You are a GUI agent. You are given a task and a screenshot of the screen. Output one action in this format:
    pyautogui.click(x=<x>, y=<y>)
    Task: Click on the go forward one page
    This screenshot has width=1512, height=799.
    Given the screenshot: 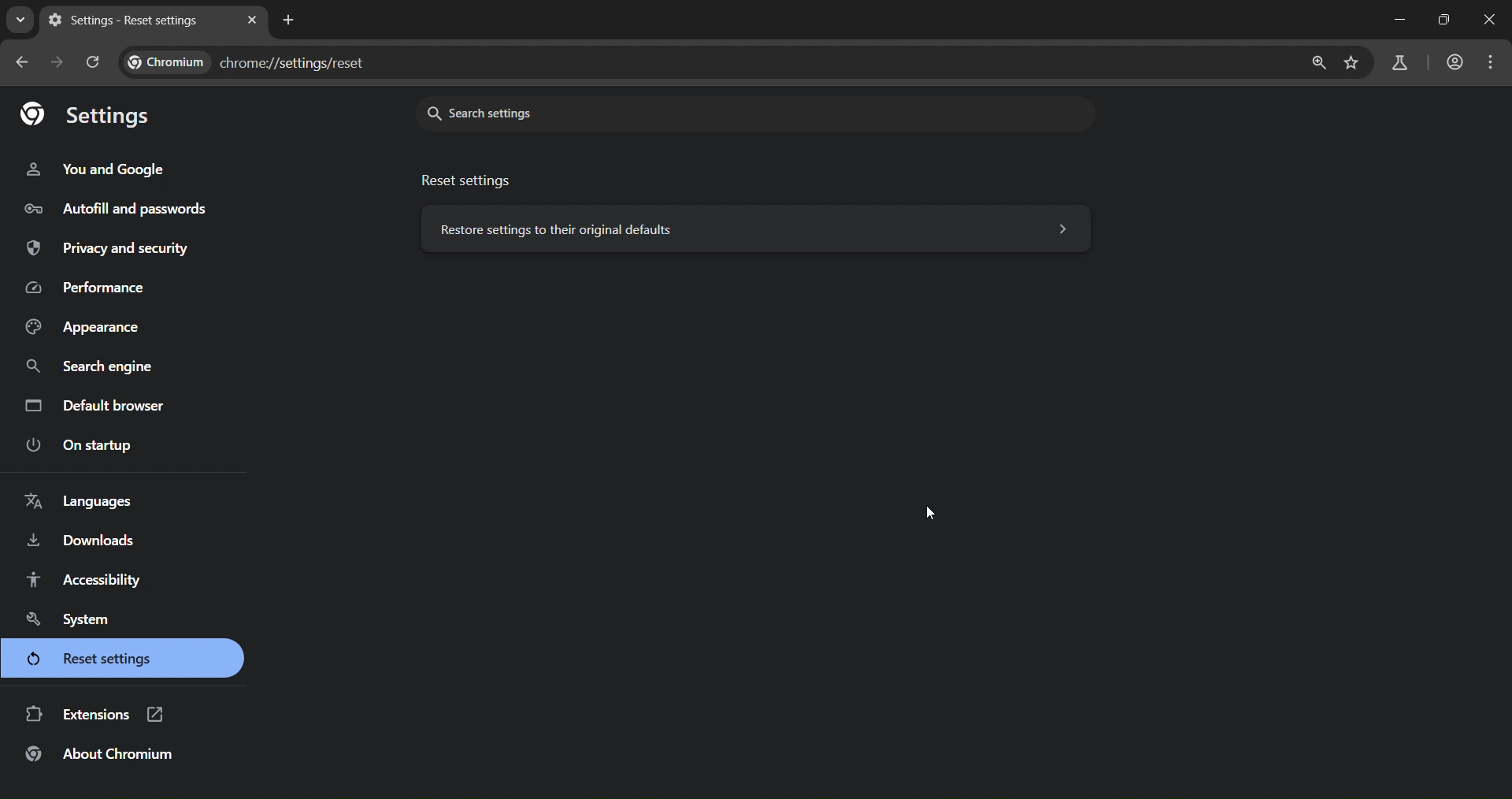 What is the action you would take?
    pyautogui.click(x=55, y=62)
    